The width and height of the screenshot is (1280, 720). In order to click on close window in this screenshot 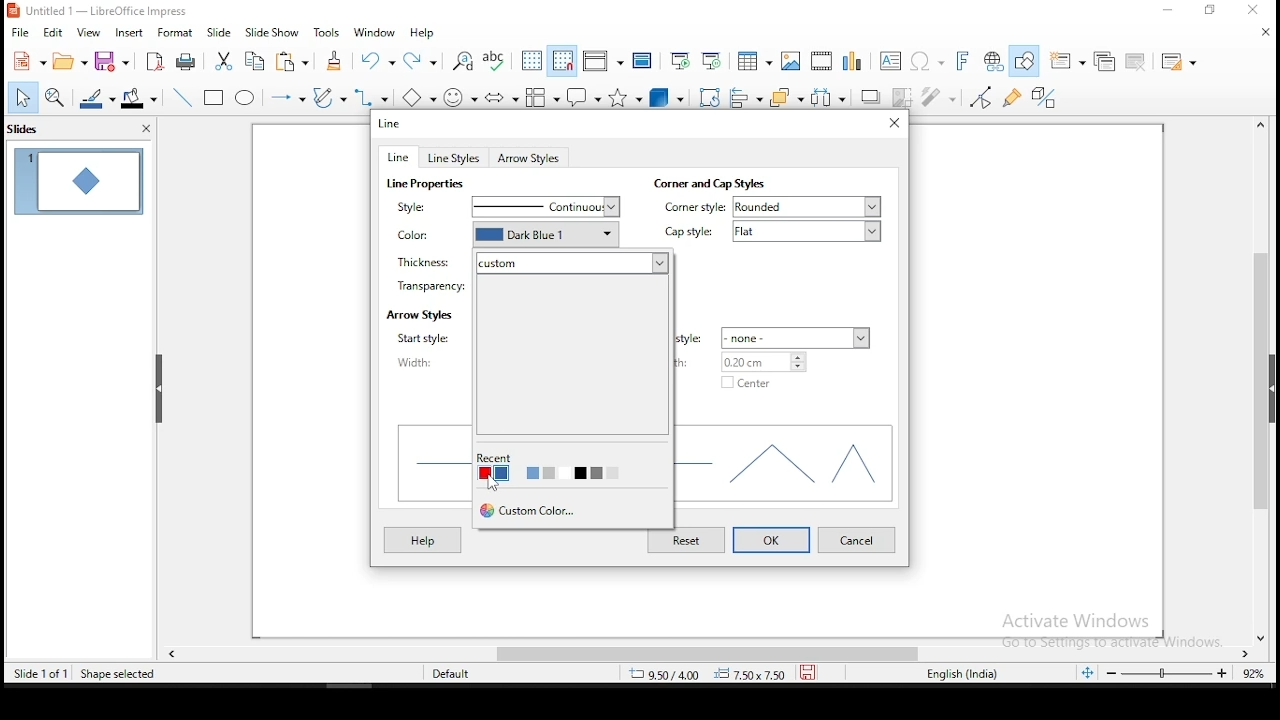, I will do `click(895, 123)`.